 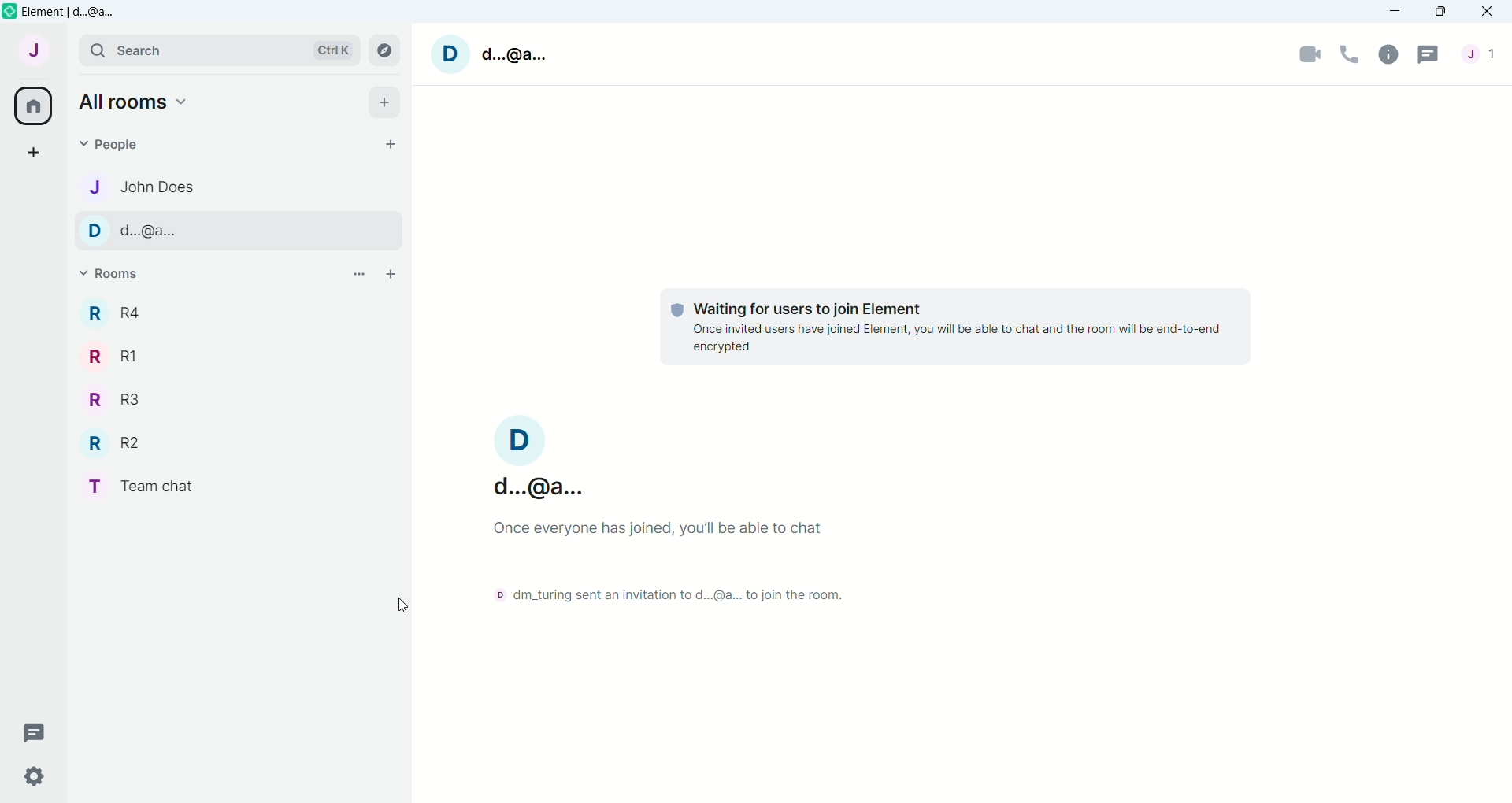 What do you see at coordinates (117, 355) in the screenshot?
I see `Room R1` at bounding box center [117, 355].